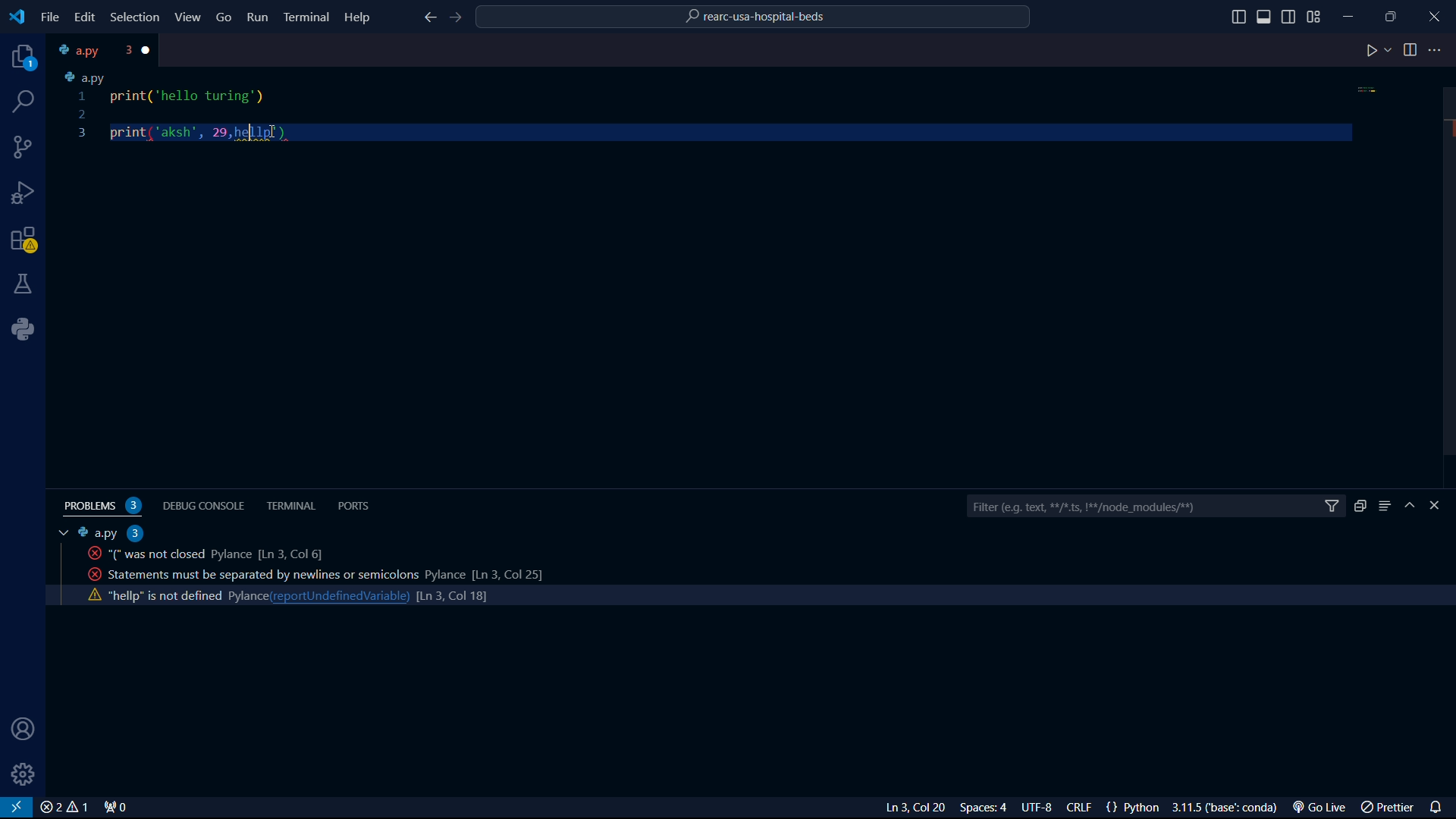 This screenshot has width=1456, height=819. I want to click on hide, so click(1412, 507).